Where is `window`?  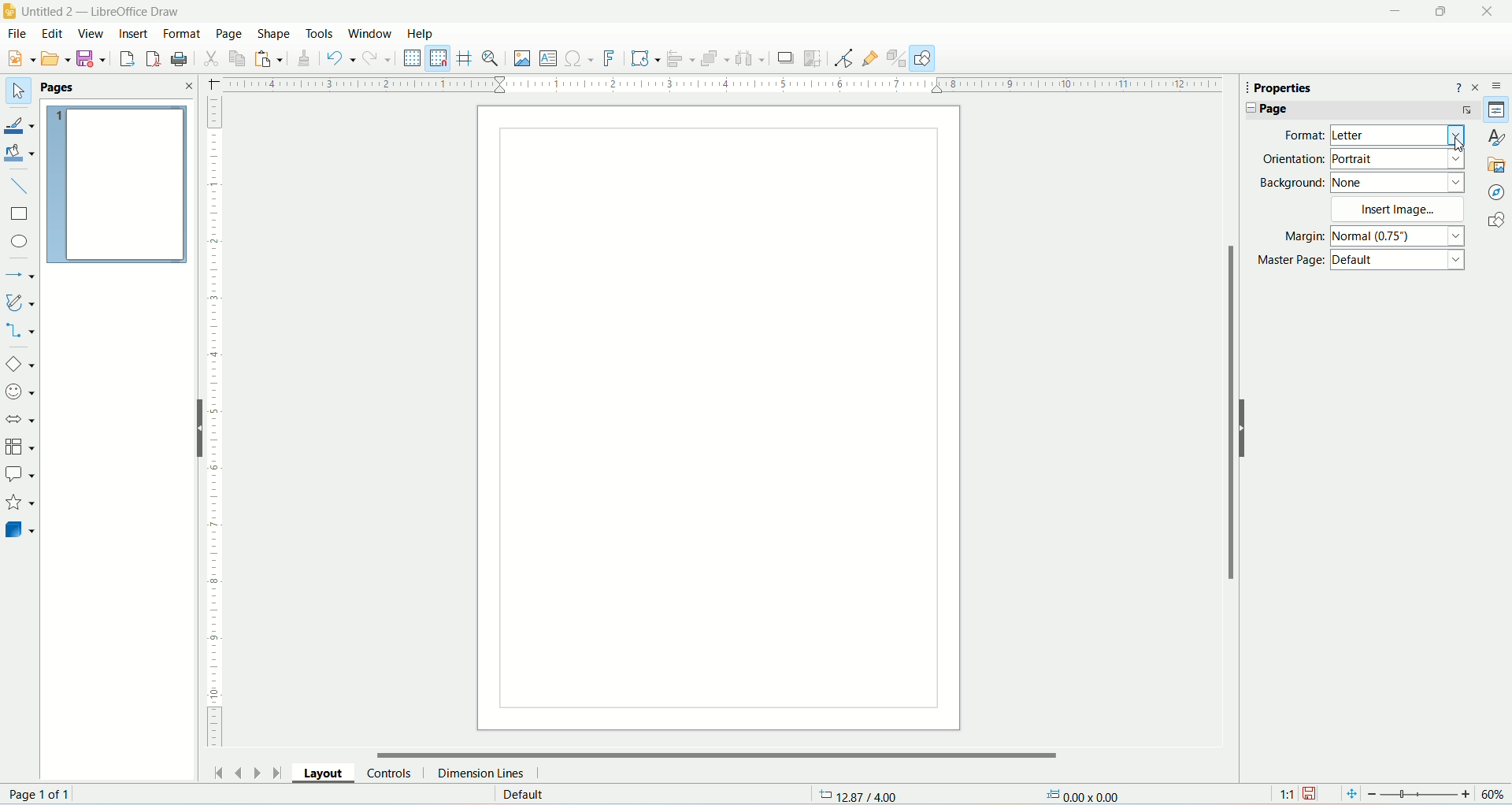
window is located at coordinates (370, 33).